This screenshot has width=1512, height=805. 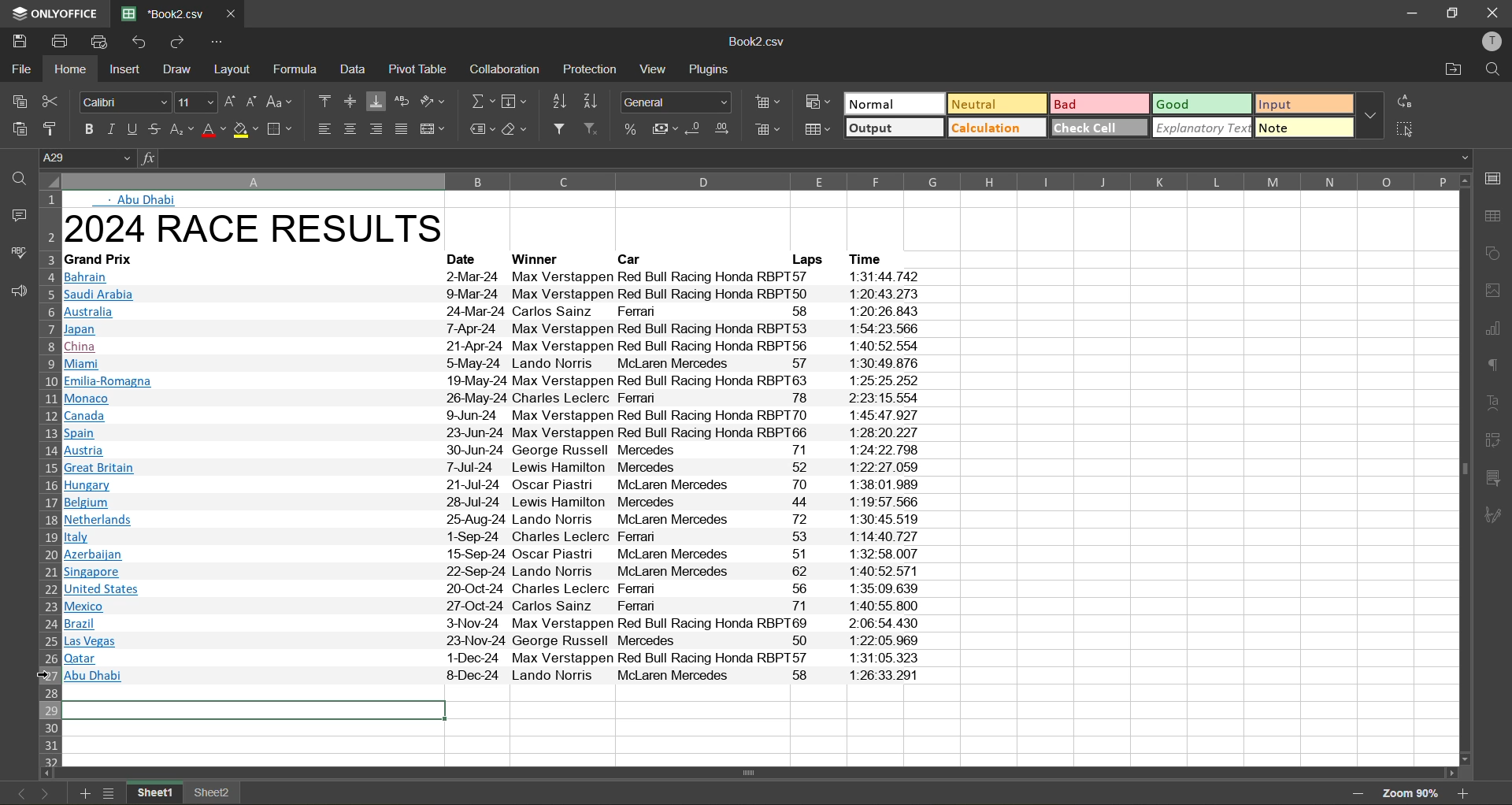 What do you see at coordinates (761, 43) in the screenshot?
I see `file name` at bounding box center [761, 43].